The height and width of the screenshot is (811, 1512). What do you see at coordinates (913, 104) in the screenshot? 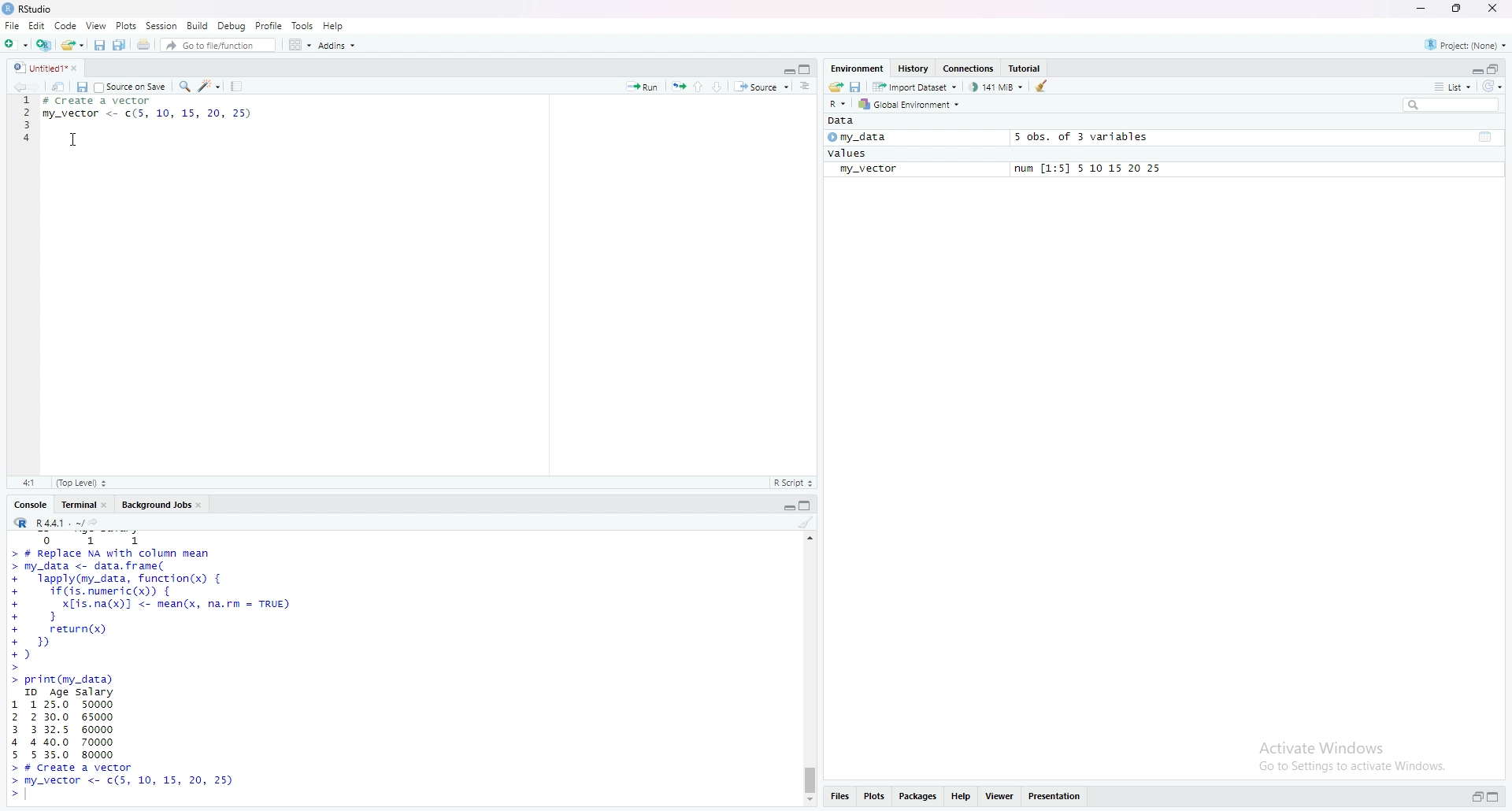
I see `Global Environment ` at bounding box center [913, 104].